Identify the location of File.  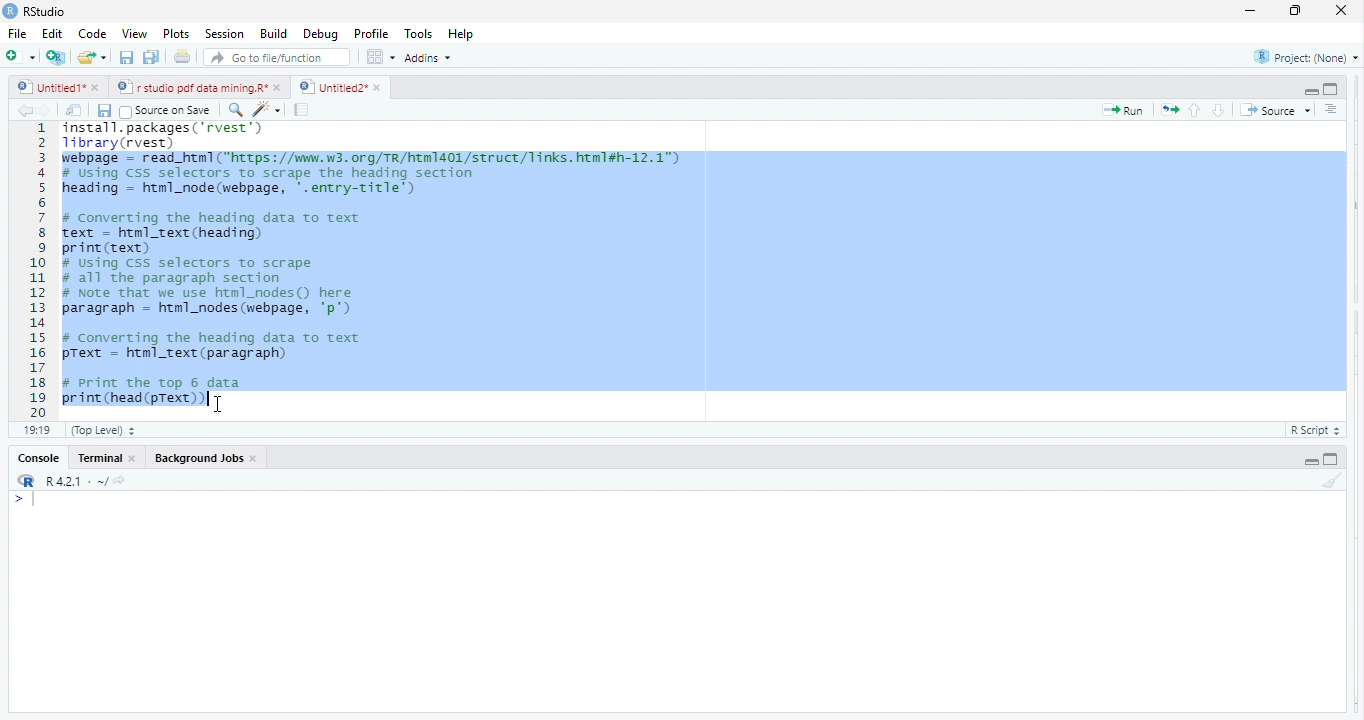
(17, 34).